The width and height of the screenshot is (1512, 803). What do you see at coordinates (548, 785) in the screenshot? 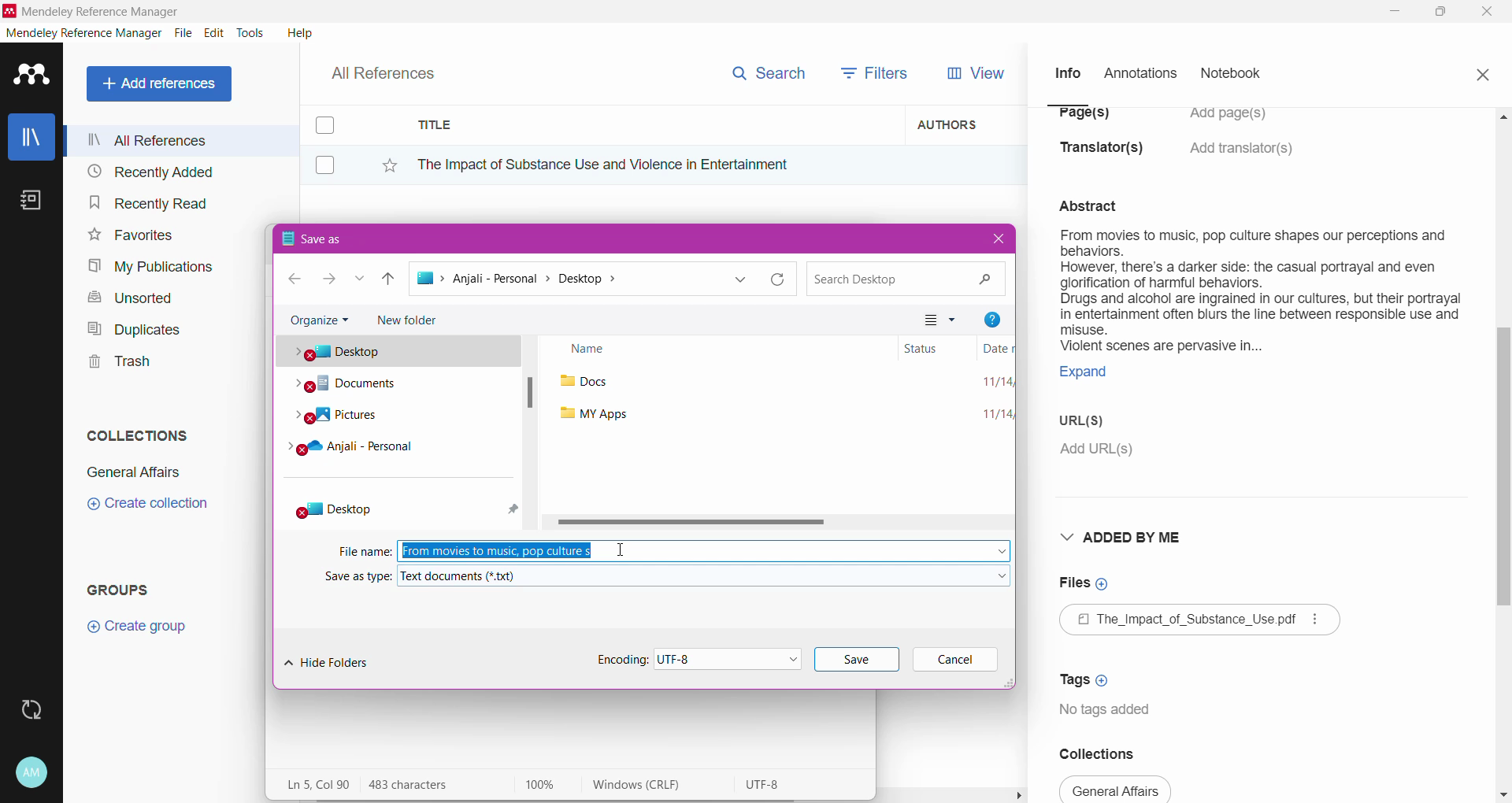
I see `Zoom Level` at bounding box center [548, 785].